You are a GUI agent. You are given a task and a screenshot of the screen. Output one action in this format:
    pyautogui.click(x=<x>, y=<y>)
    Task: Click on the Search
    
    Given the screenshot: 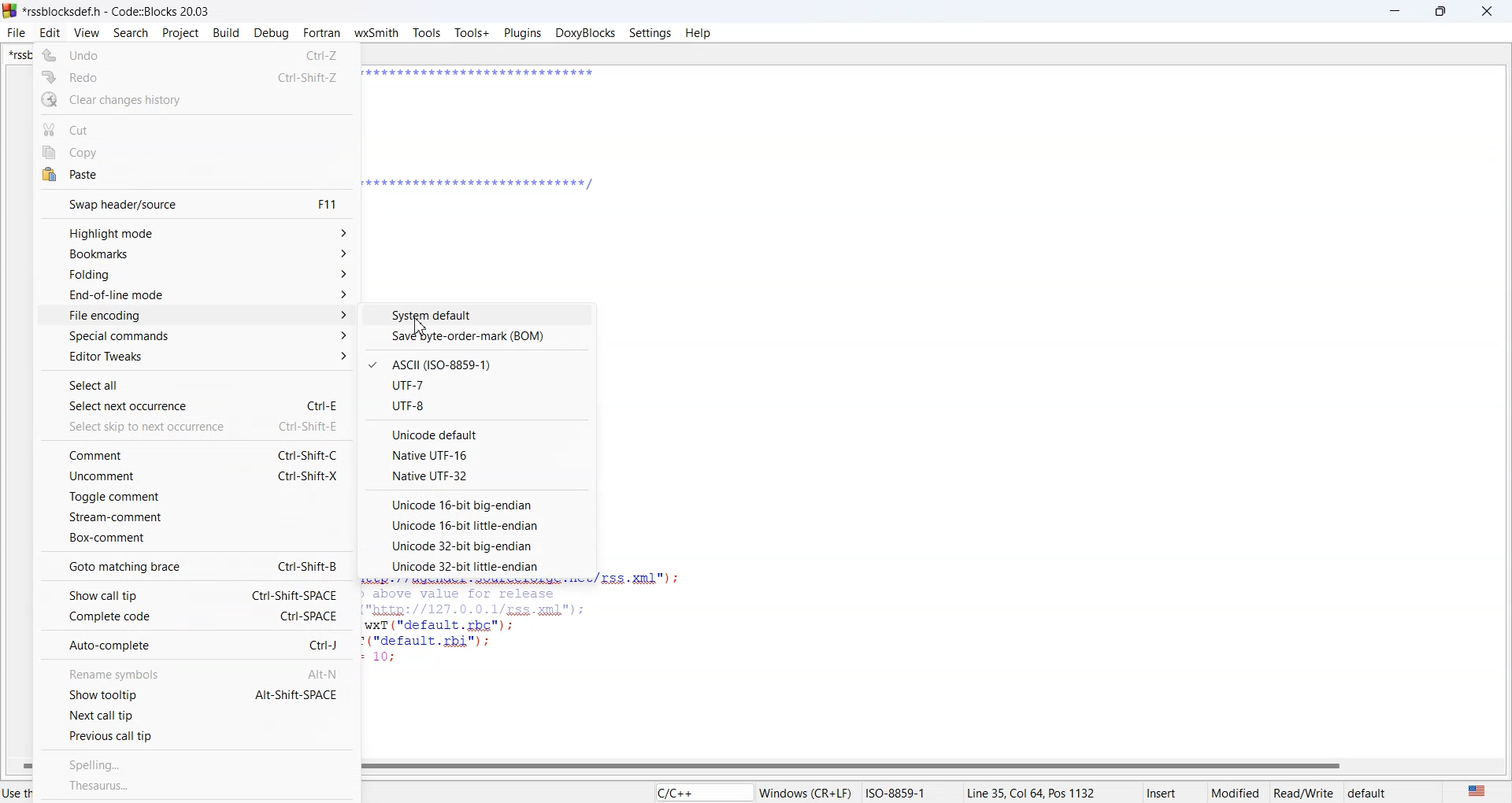 What is the action you would take?
    pyautogui.click(x=131, y=34)
    